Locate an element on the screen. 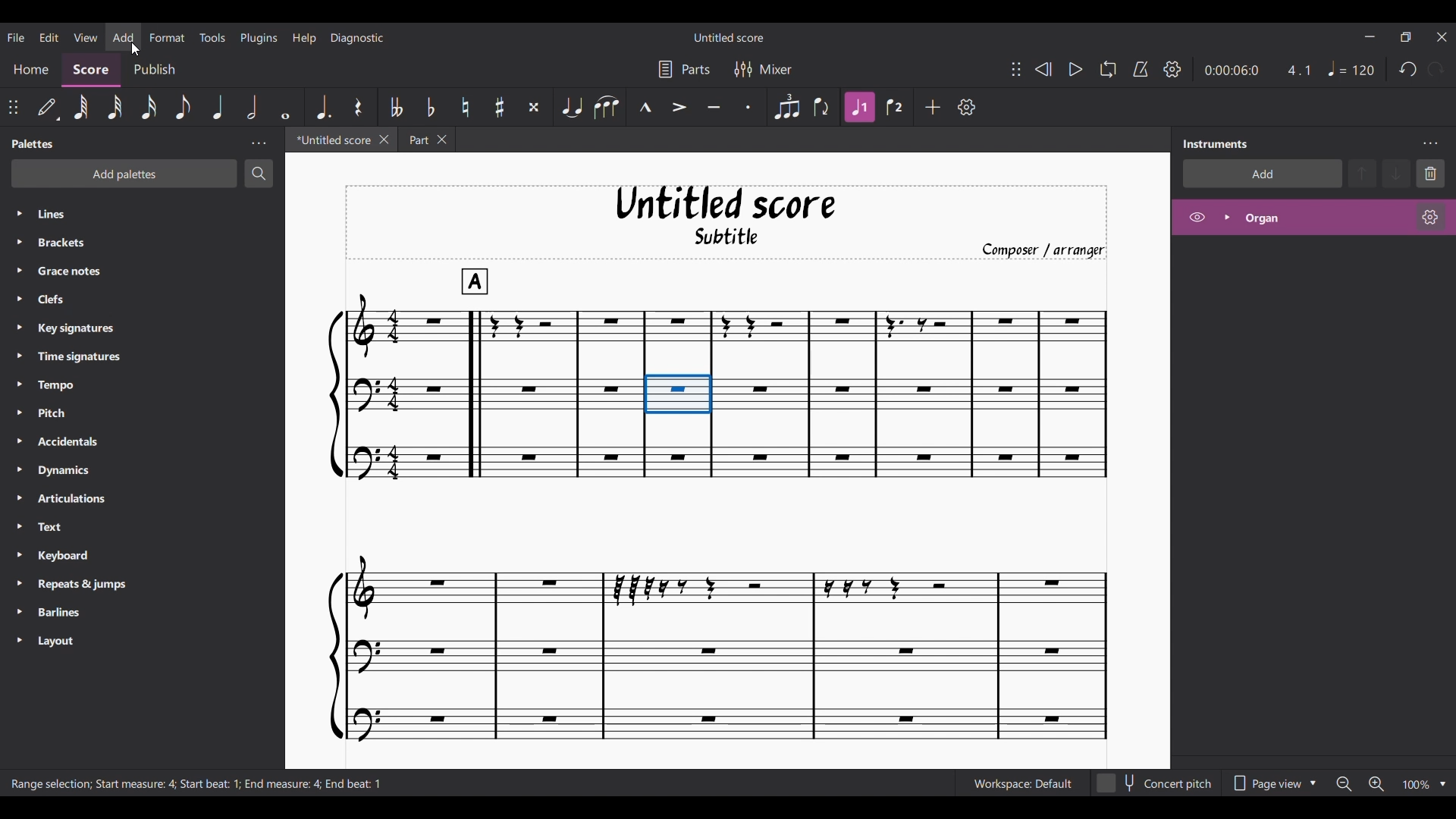 Image resolution: width=1456 pixels, height=819 pixels. Description of current selection is located at coordinates (198, 784).